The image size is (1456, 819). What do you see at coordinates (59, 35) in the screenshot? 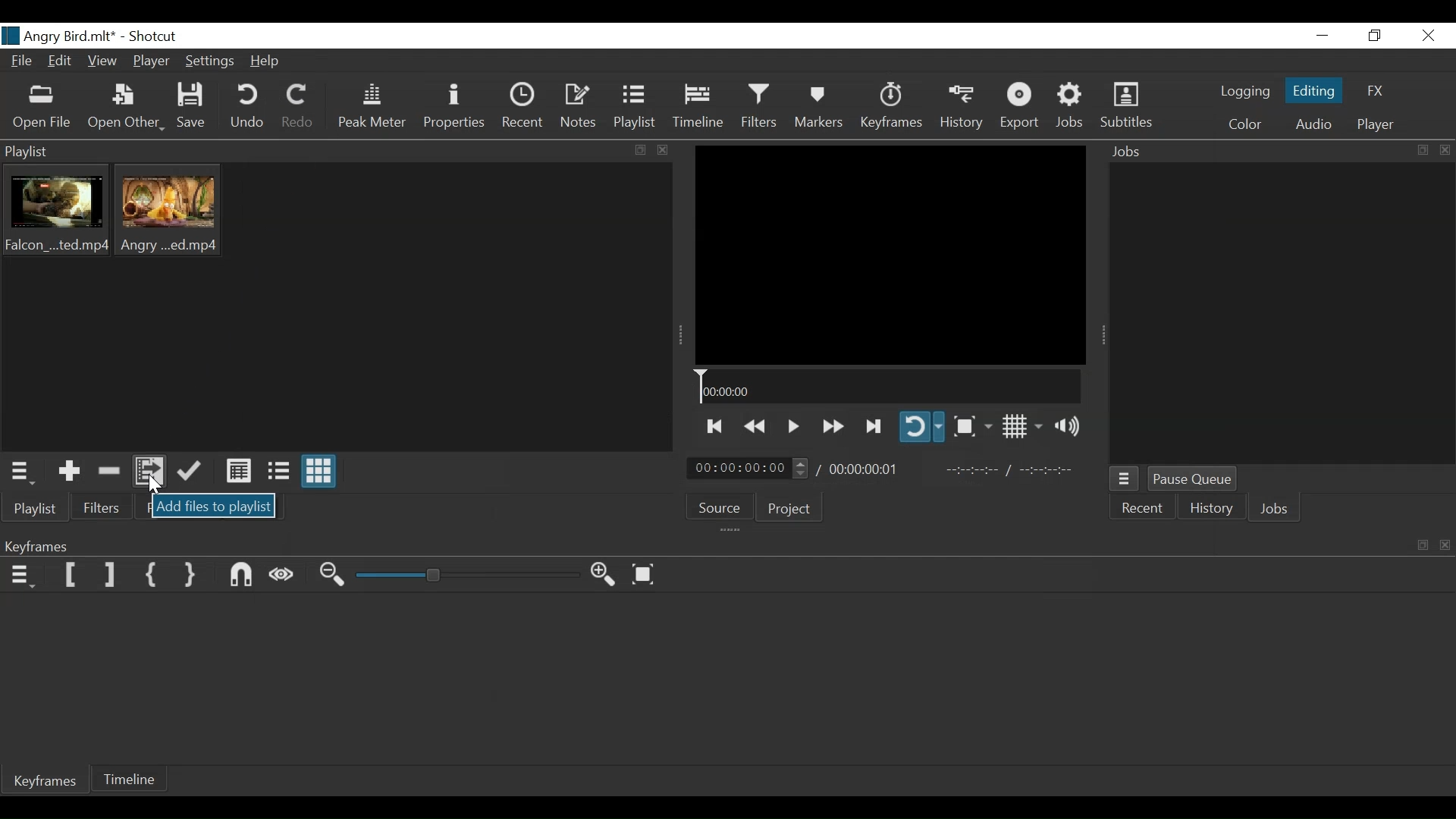
I see `File Name` at bounding box center [59, 35].